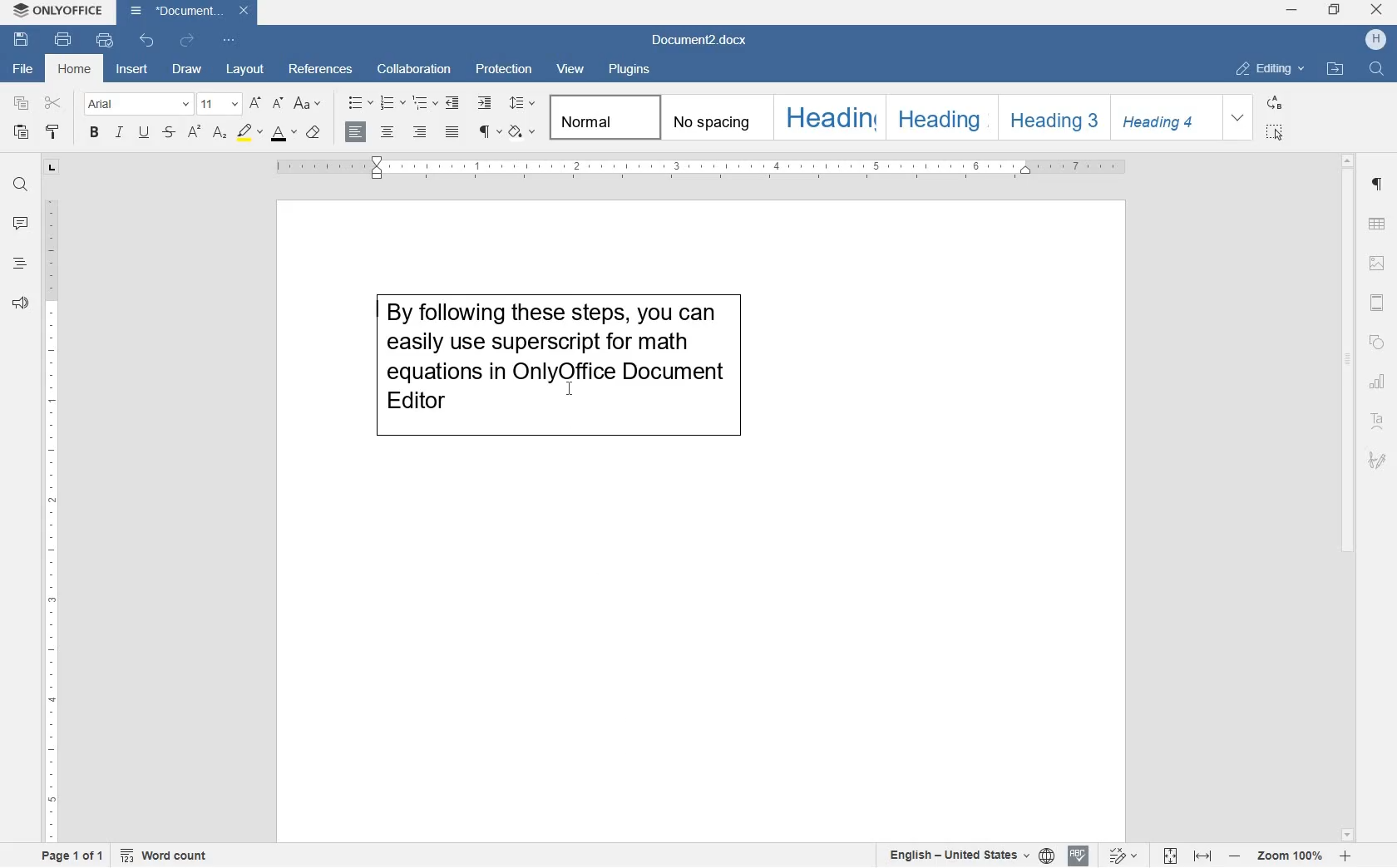  Describe the element at coordinates (420, 133) in the screenshot. I see `right alignment` at that location.